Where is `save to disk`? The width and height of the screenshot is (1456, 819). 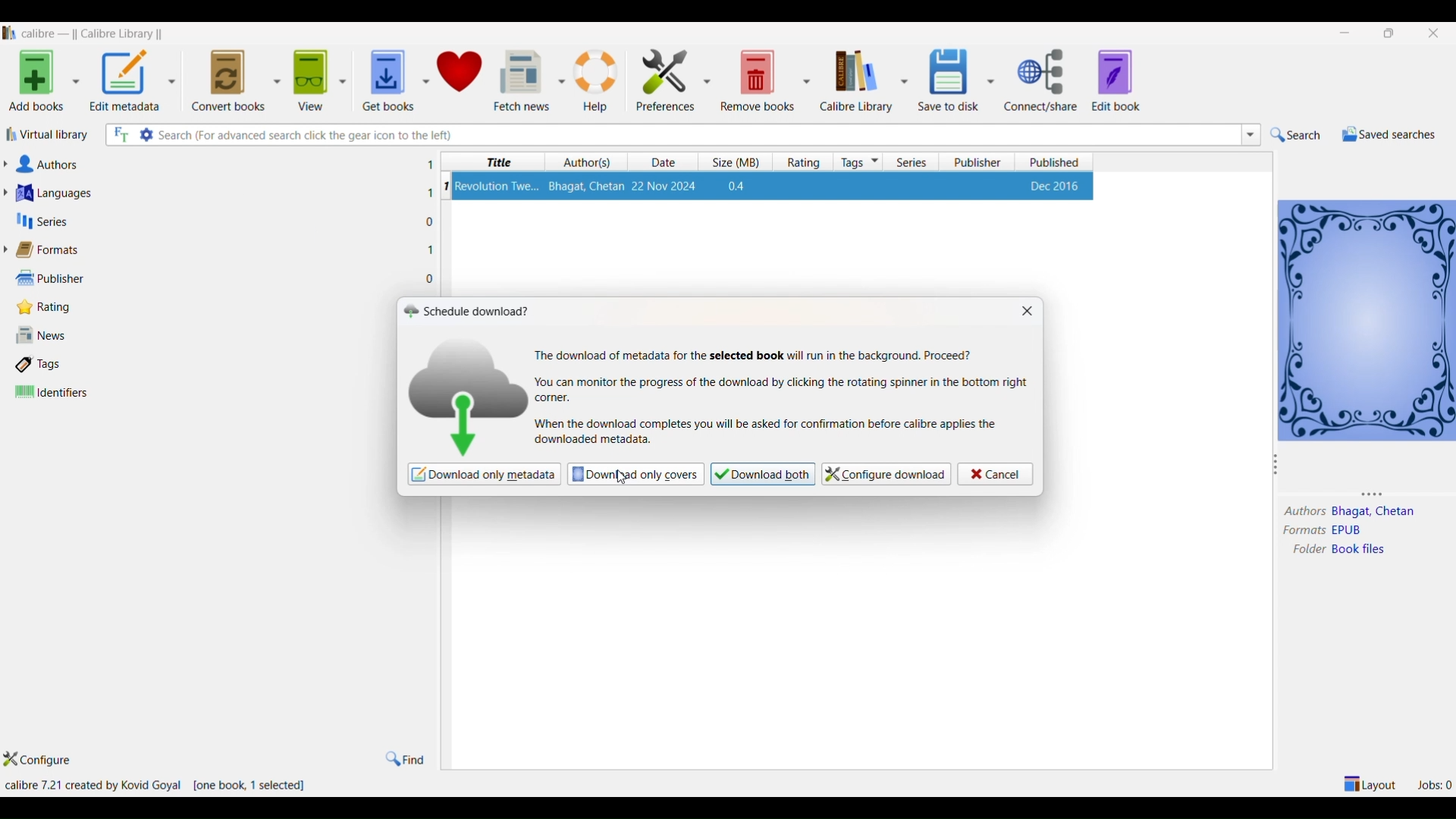 save to disk is located at coordinates (946, 76).